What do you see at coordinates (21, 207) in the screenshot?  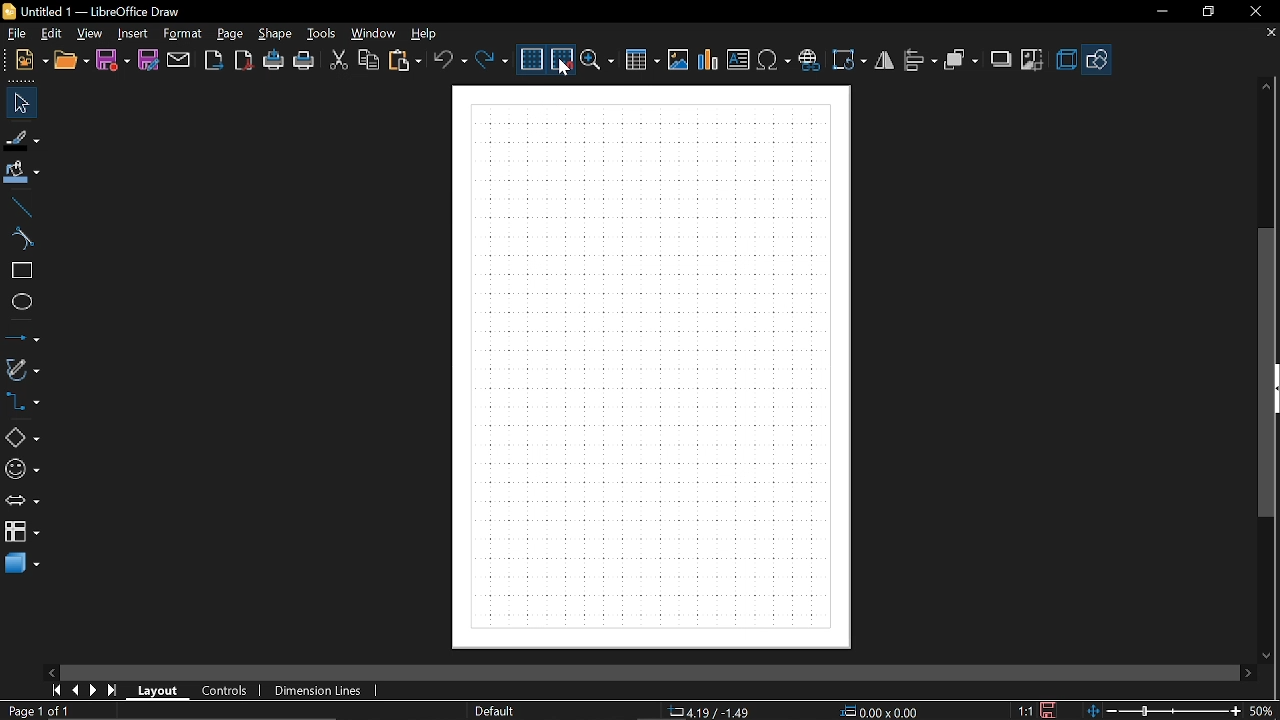 I see `line` at bounding box center [21, 207].